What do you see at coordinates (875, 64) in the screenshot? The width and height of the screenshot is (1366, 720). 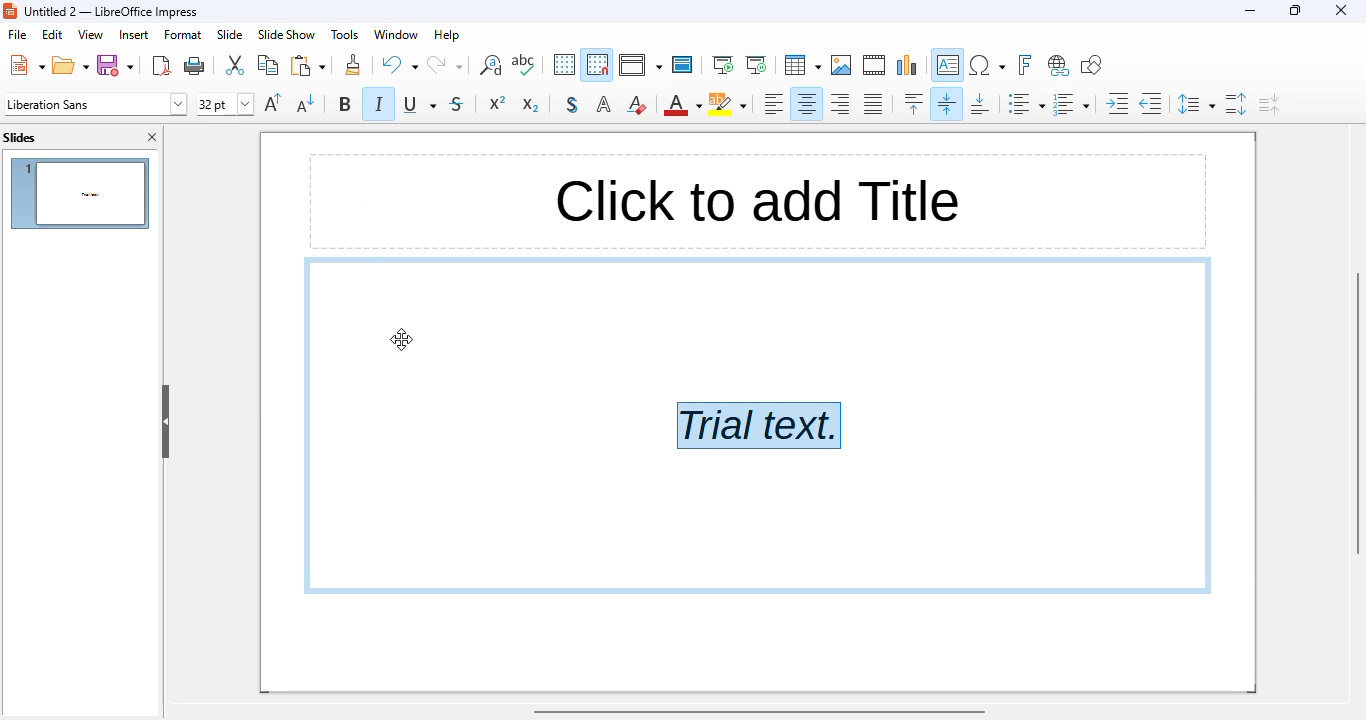 I see `insert audio or video` at bounding box center [875, 64].